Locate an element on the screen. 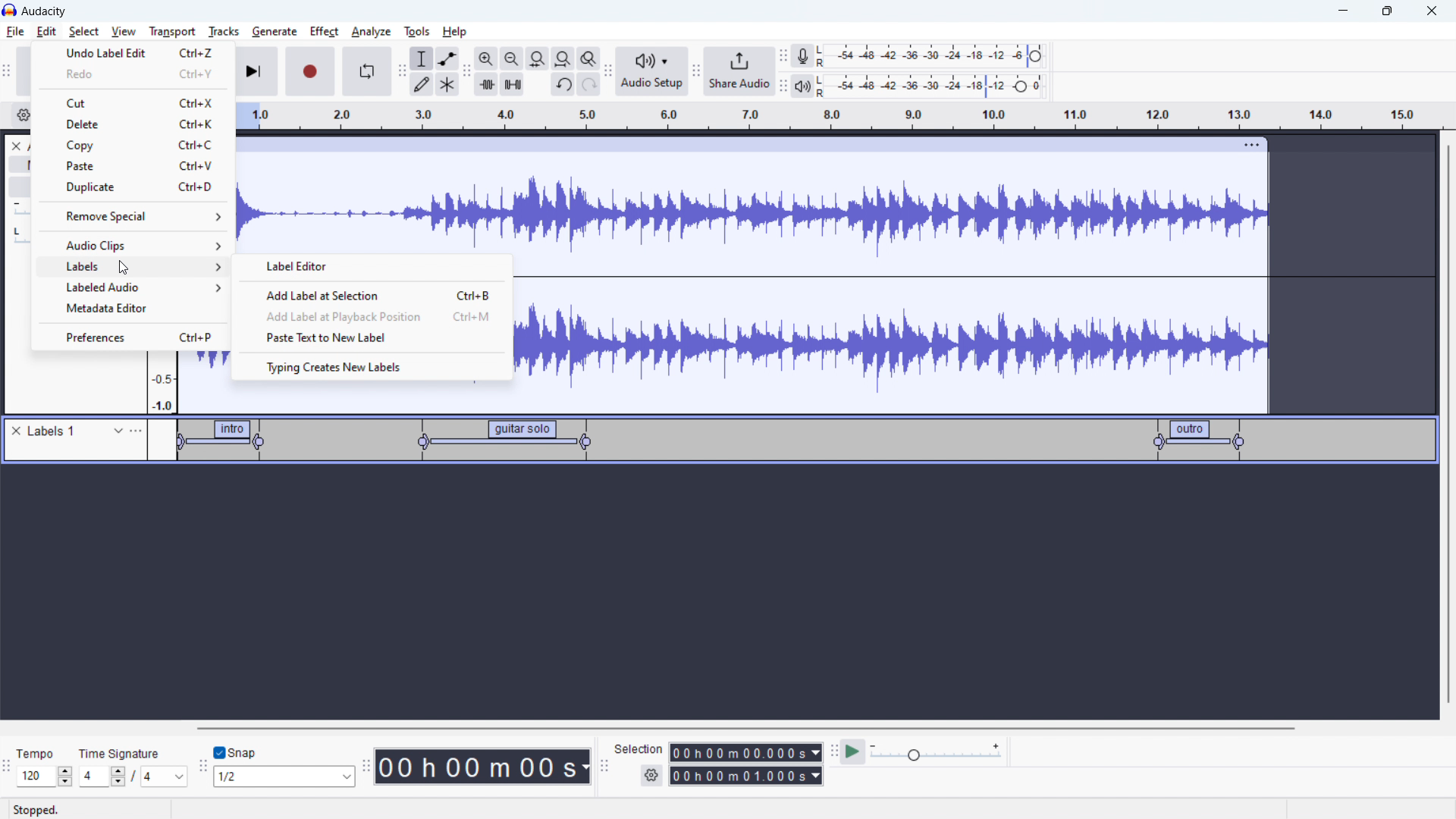 Image resolution: width=1456 pixels, height=819 pixels. duplicate is located at coordinates (132, 187).